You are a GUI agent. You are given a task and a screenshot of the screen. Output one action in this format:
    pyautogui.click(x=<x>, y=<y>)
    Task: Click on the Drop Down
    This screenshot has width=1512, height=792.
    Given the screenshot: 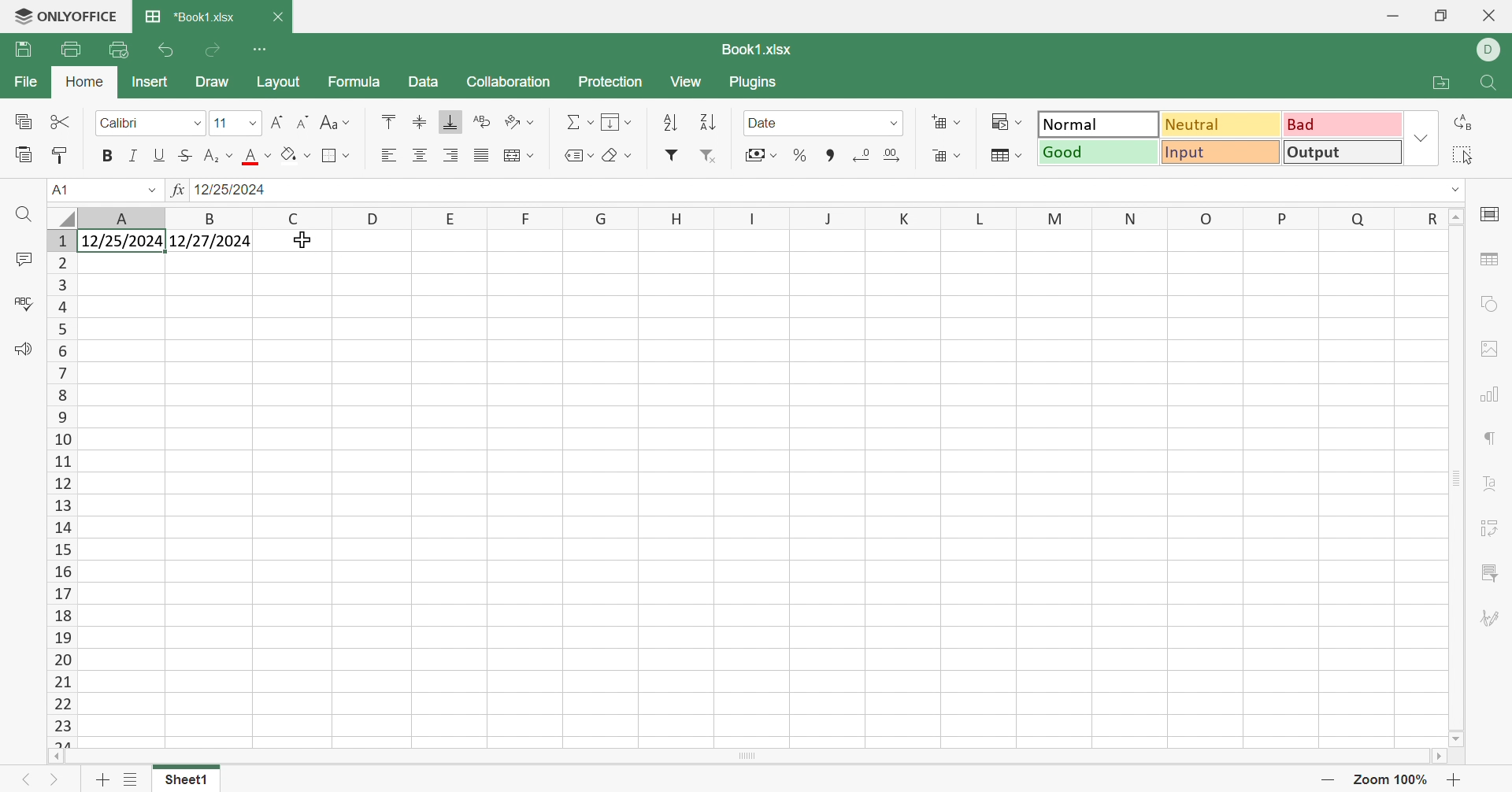 What is the action you would take?
    pyautogui.click(x=1450, y=191)
    